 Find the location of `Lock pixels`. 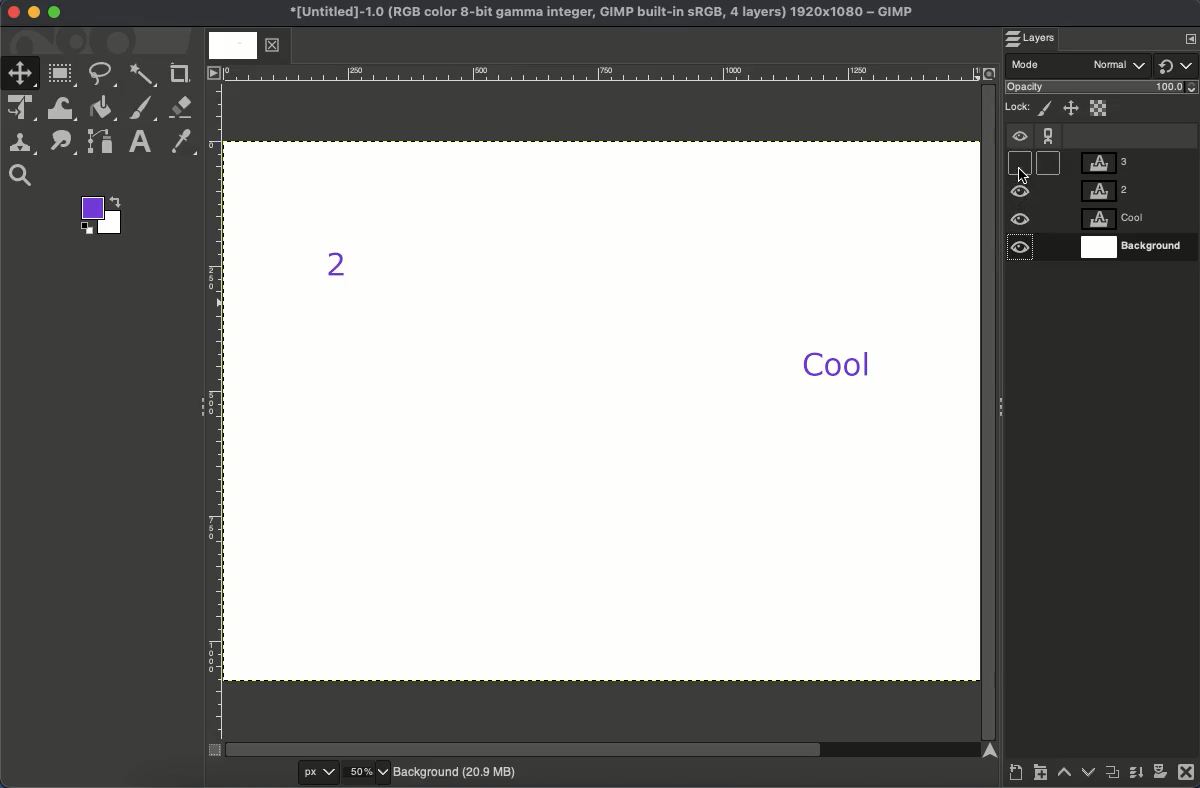

Lock pixels is located at coordinates (1047, 109).